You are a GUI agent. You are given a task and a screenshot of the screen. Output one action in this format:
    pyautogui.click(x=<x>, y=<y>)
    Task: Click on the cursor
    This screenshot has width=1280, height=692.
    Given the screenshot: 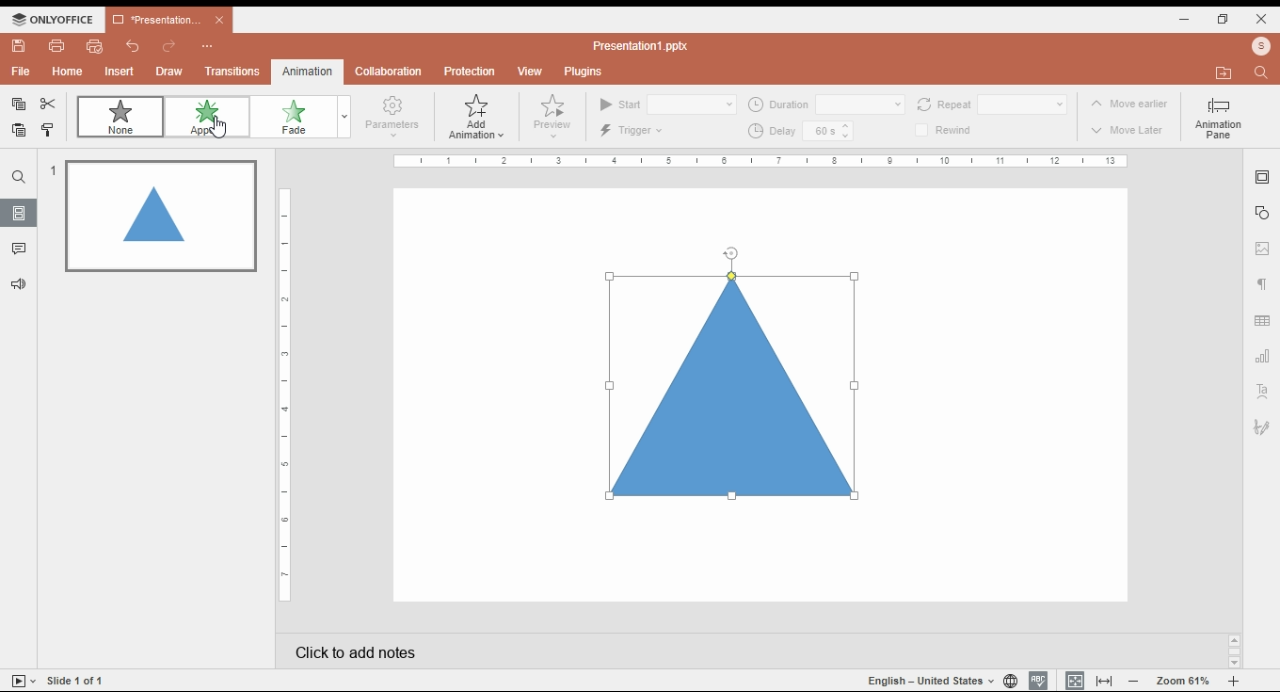 What is the action you would take?
    pyautogui.click(x=215, y=131)
    